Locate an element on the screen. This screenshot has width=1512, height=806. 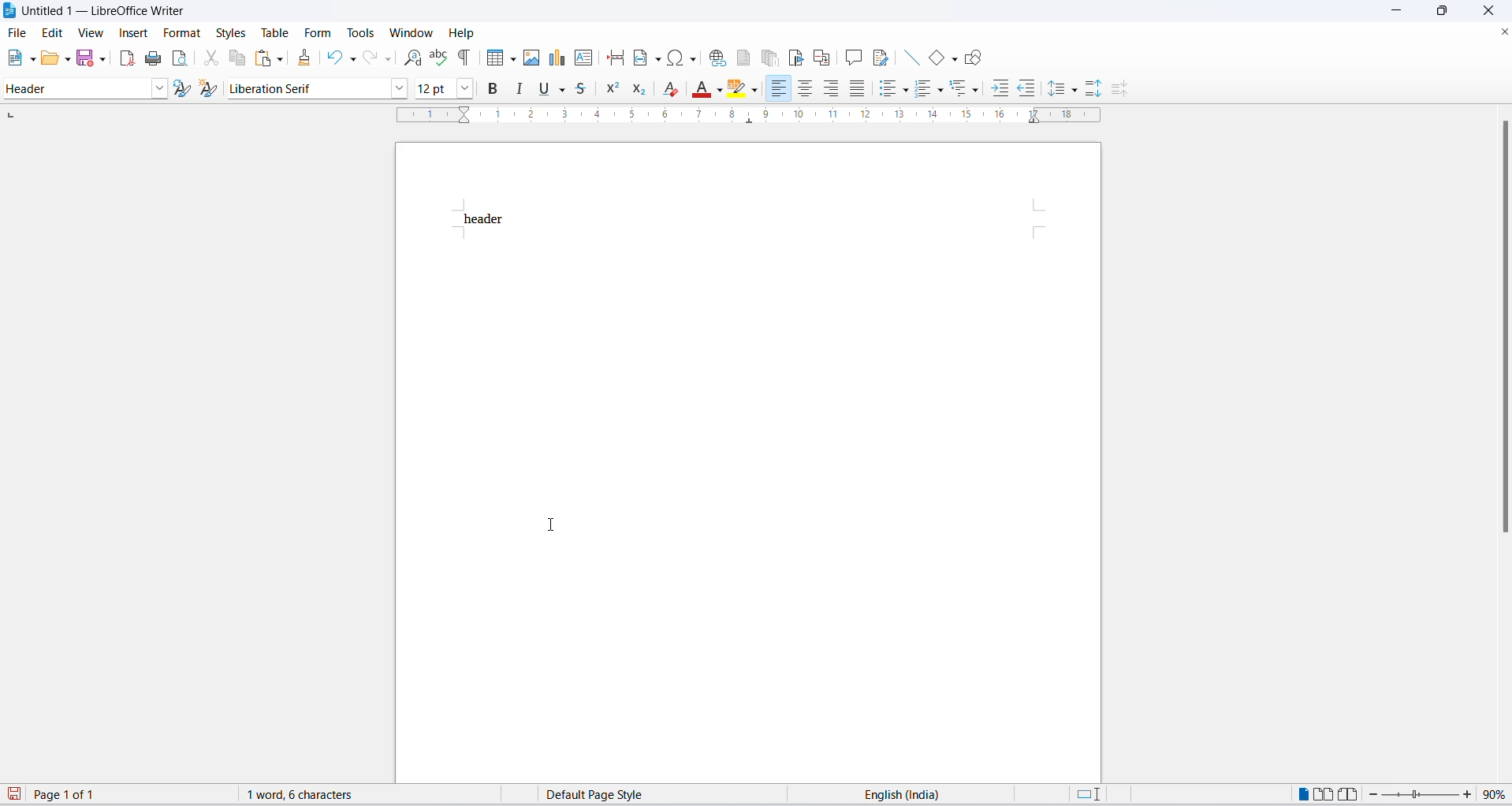
spellings is located at coordinates (440, 58).